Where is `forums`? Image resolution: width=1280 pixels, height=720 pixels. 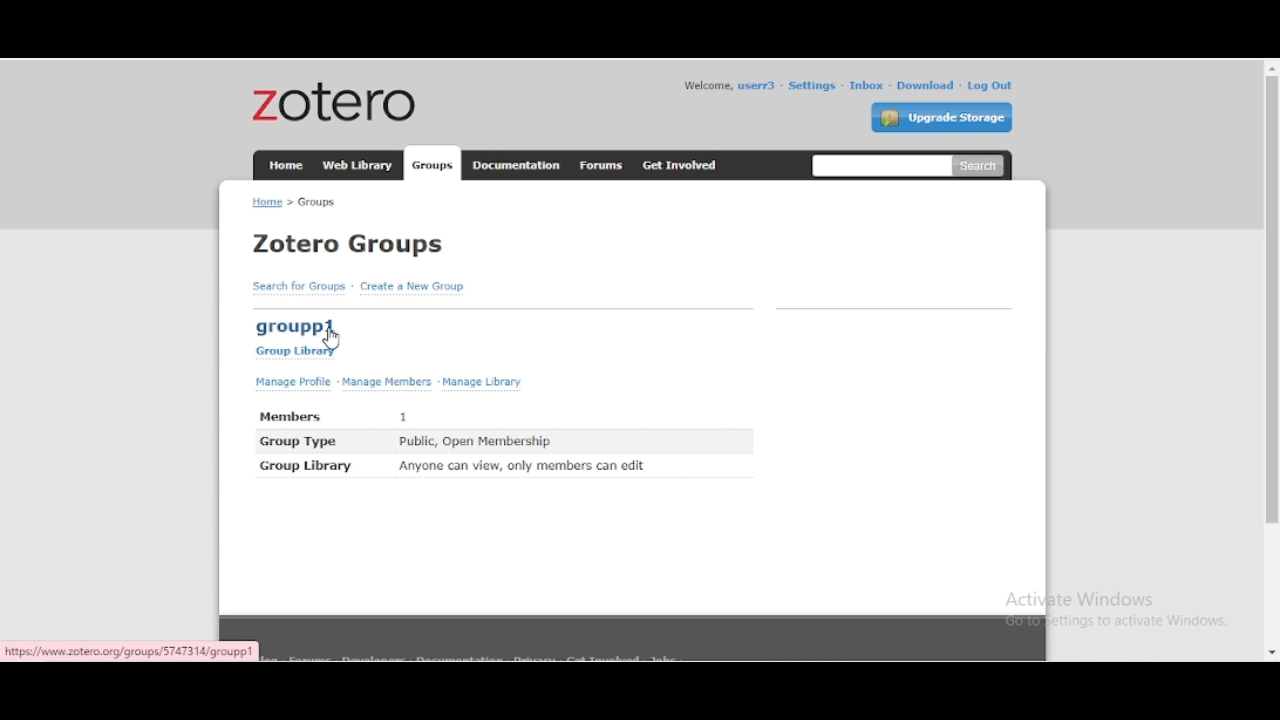
forums is located at coordinates (602, 165).